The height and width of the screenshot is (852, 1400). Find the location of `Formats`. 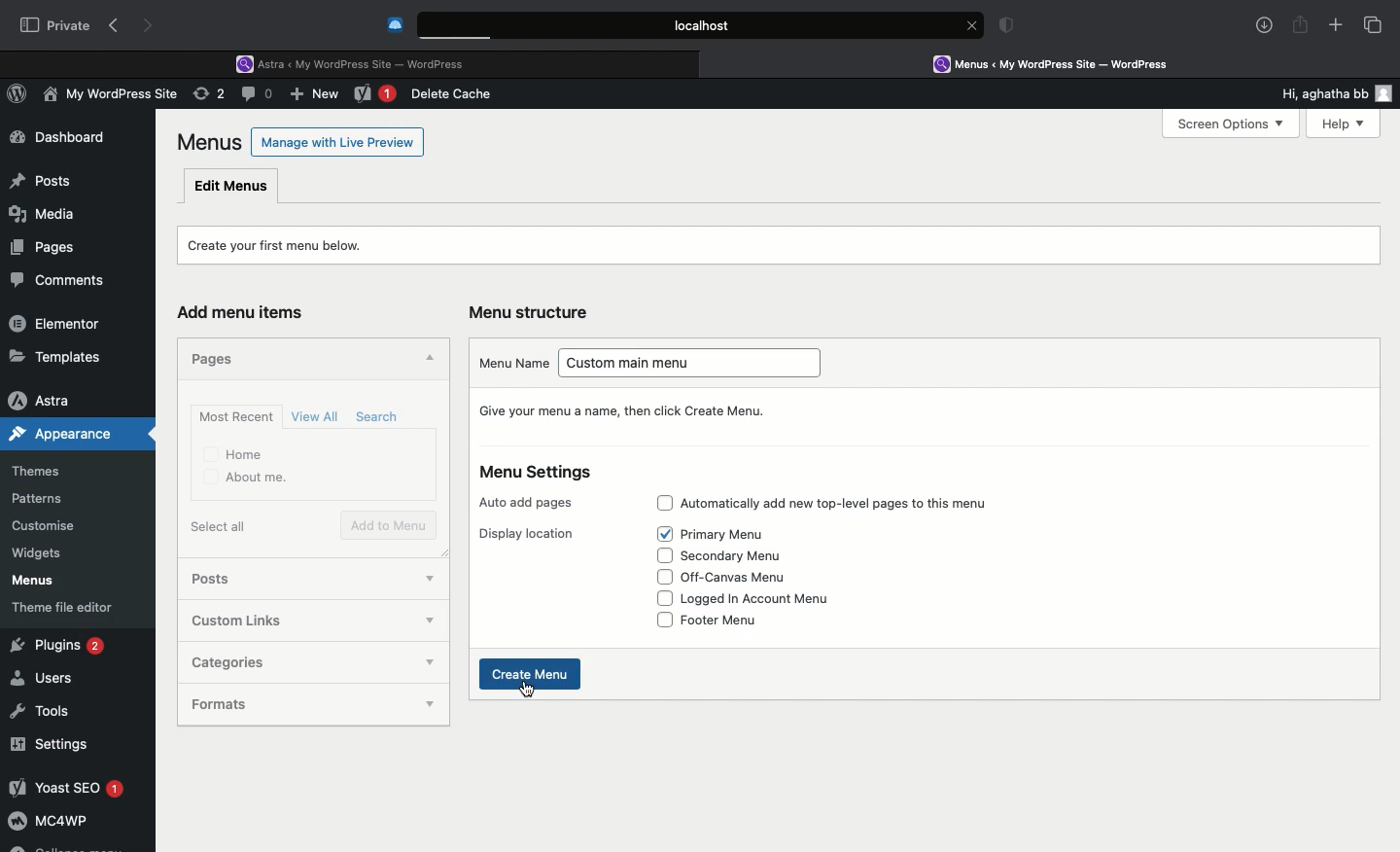

Formats is located at coordinates (280, 703).